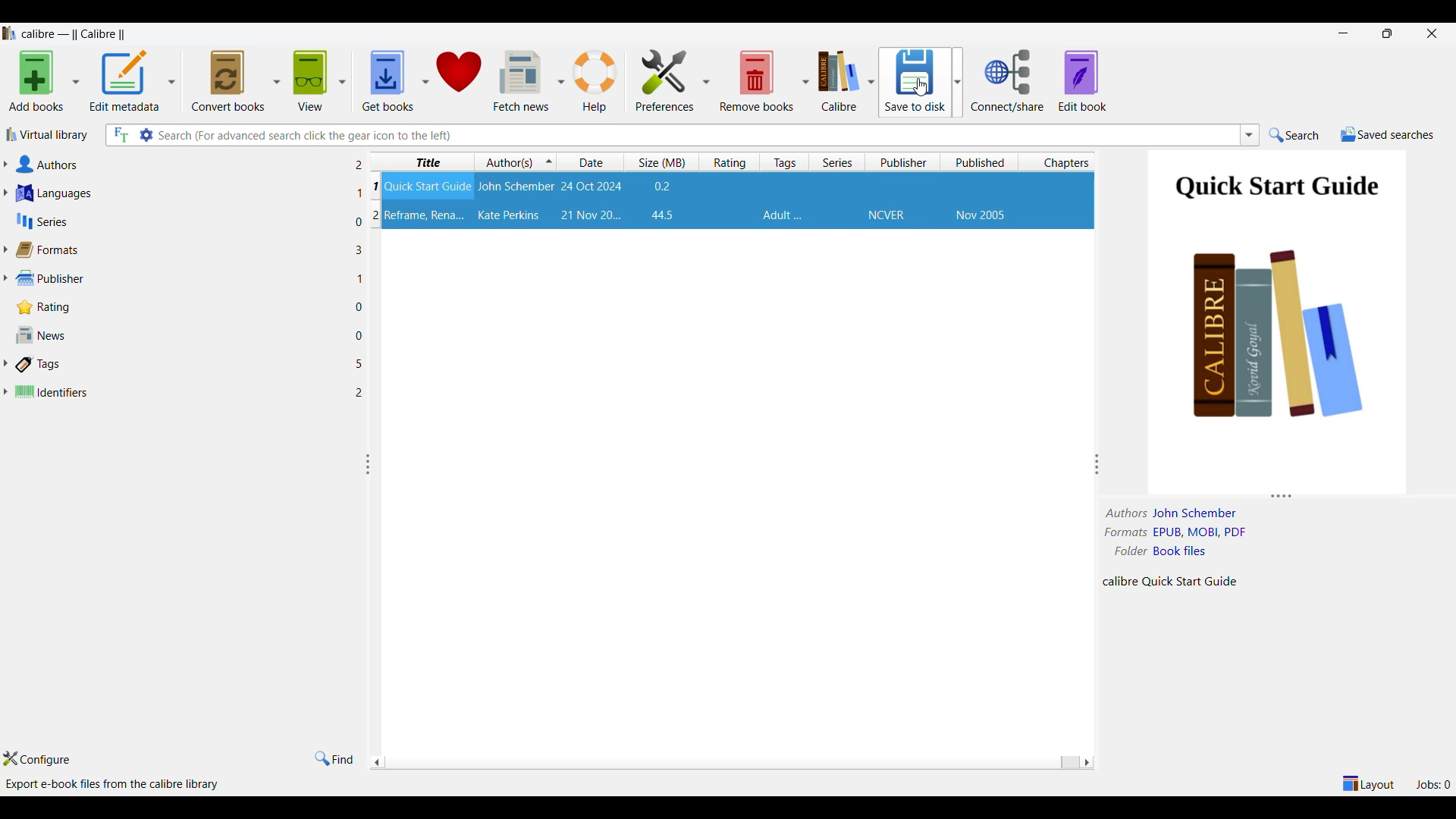 The height and width of the screenshot is (819, 1456). What do you see at coordinates (1432, 784) in the screenshot?
I see `Current jobs` at bounding box center [1432, 784].